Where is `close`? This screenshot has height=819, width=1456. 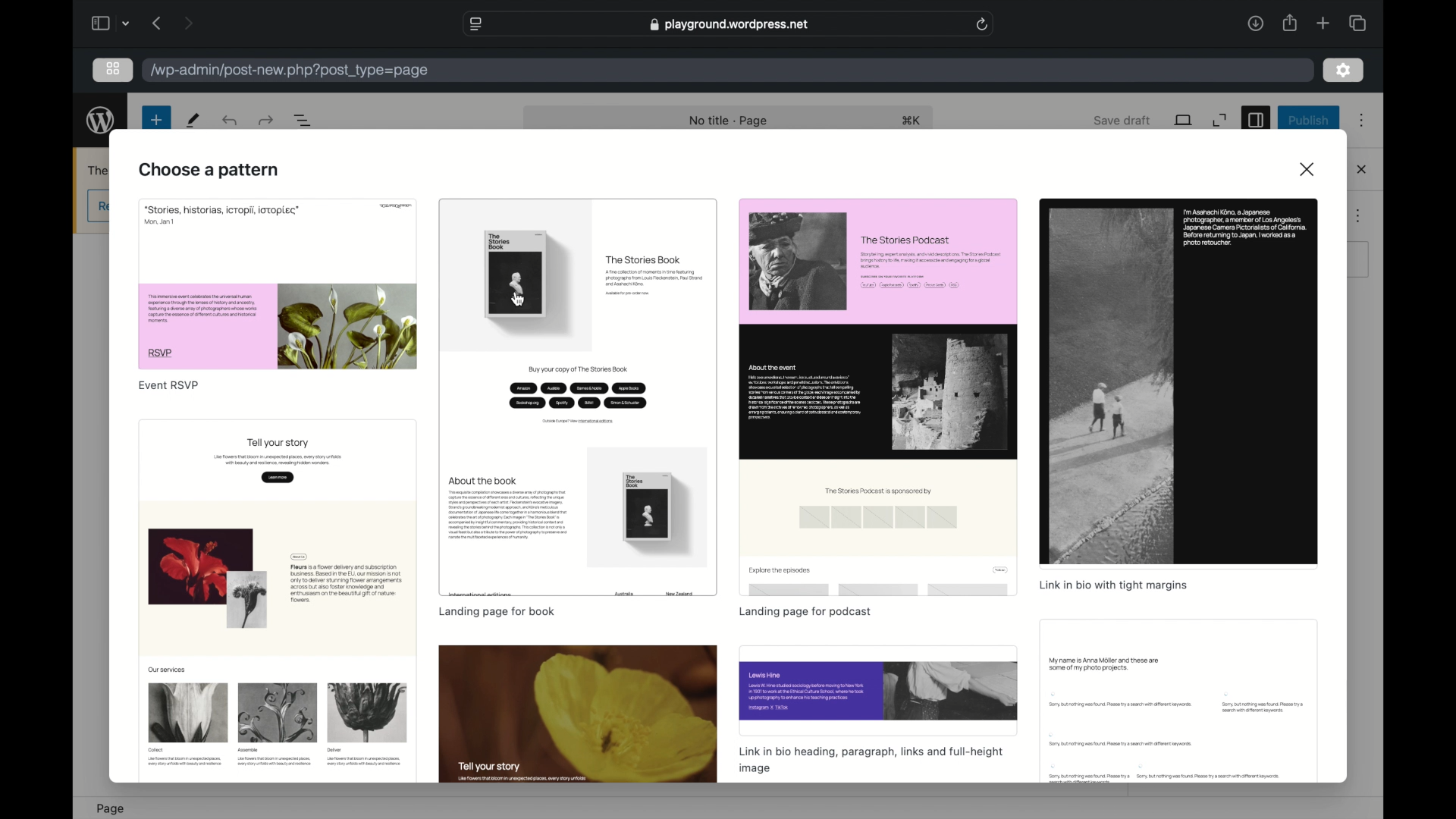
close is located at coordinates (1308, 170).